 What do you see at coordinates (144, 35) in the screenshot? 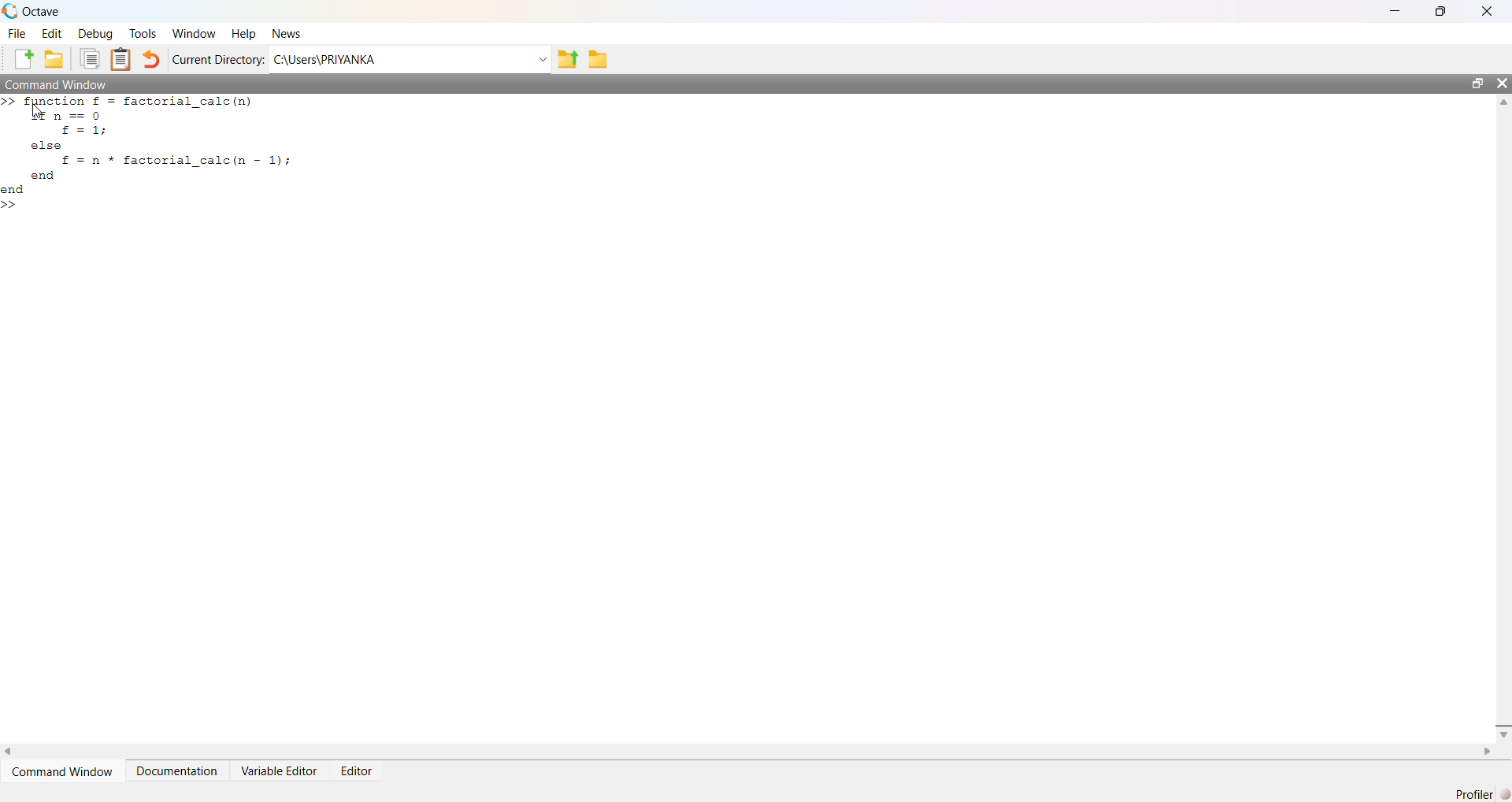
I see `tools` at bounding box center [144, 35].